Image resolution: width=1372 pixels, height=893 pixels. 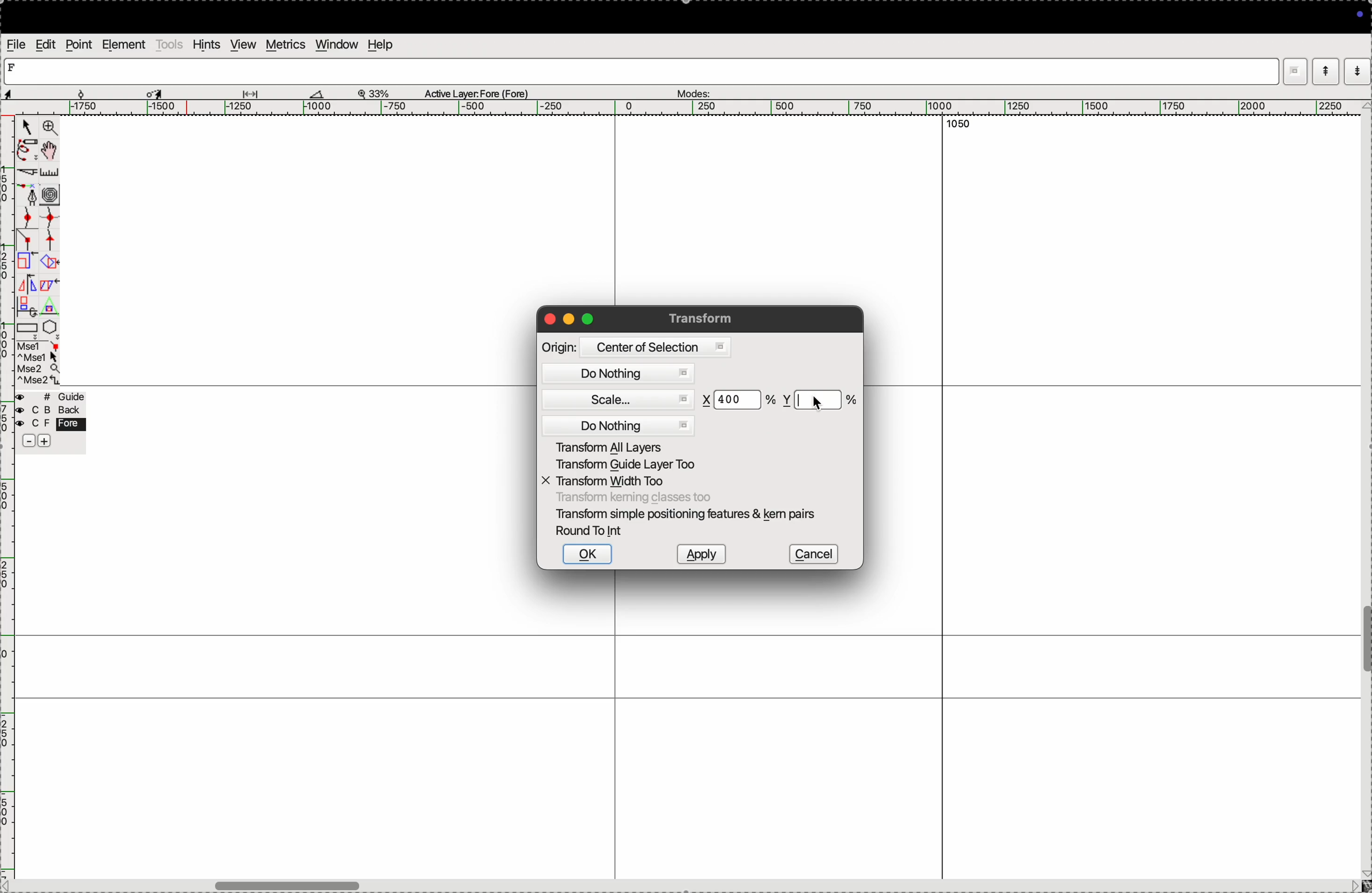 What do you see at coordinates (50, 327) in the screenshot?
I see `pentagon` at bounding box center [50, 327].